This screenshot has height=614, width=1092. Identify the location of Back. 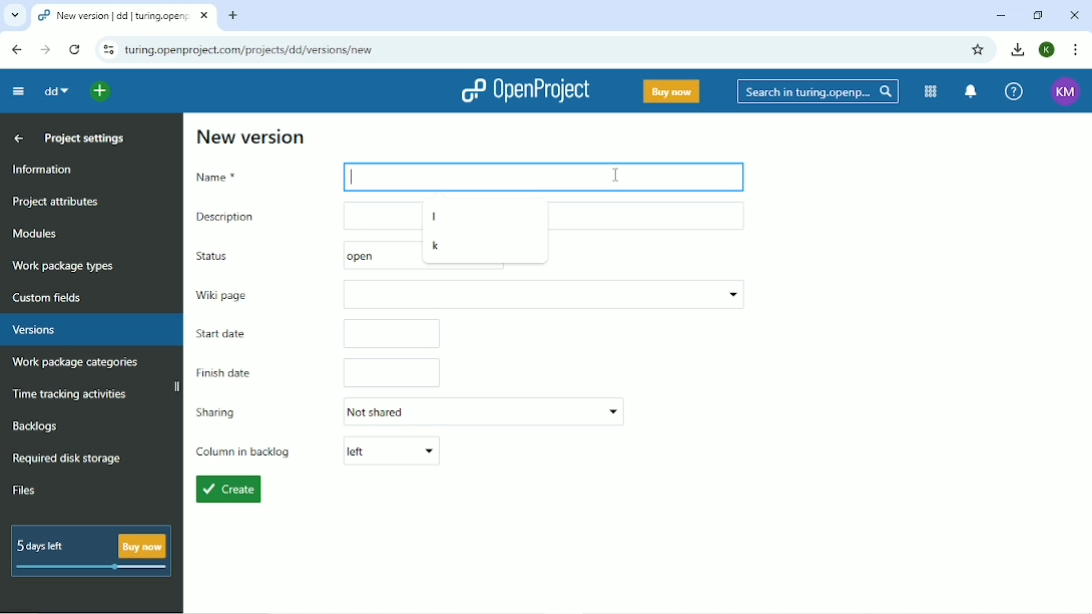
(18, 50).